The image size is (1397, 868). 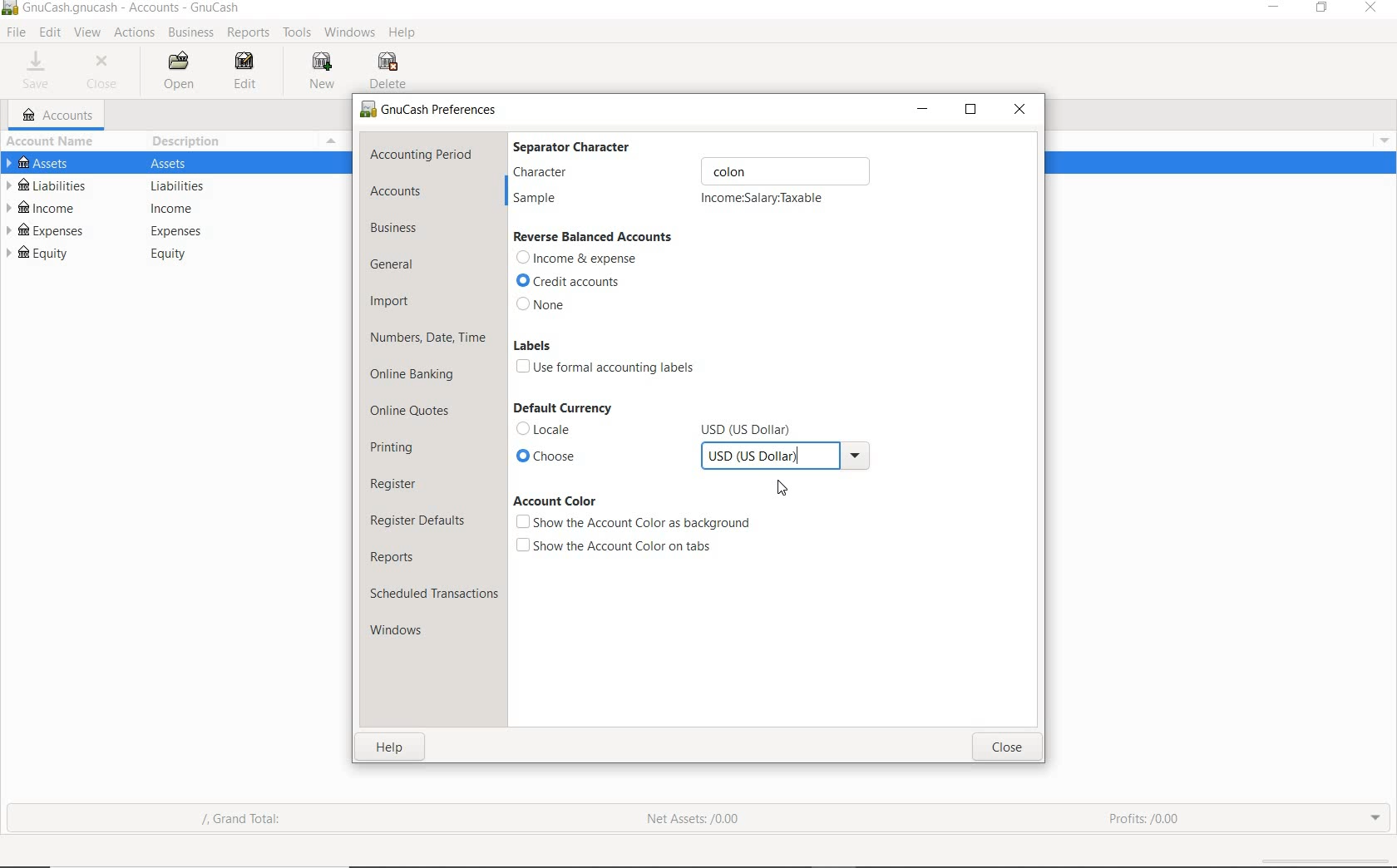 I want to click on EXPENSES, so click(x=61, y=233).